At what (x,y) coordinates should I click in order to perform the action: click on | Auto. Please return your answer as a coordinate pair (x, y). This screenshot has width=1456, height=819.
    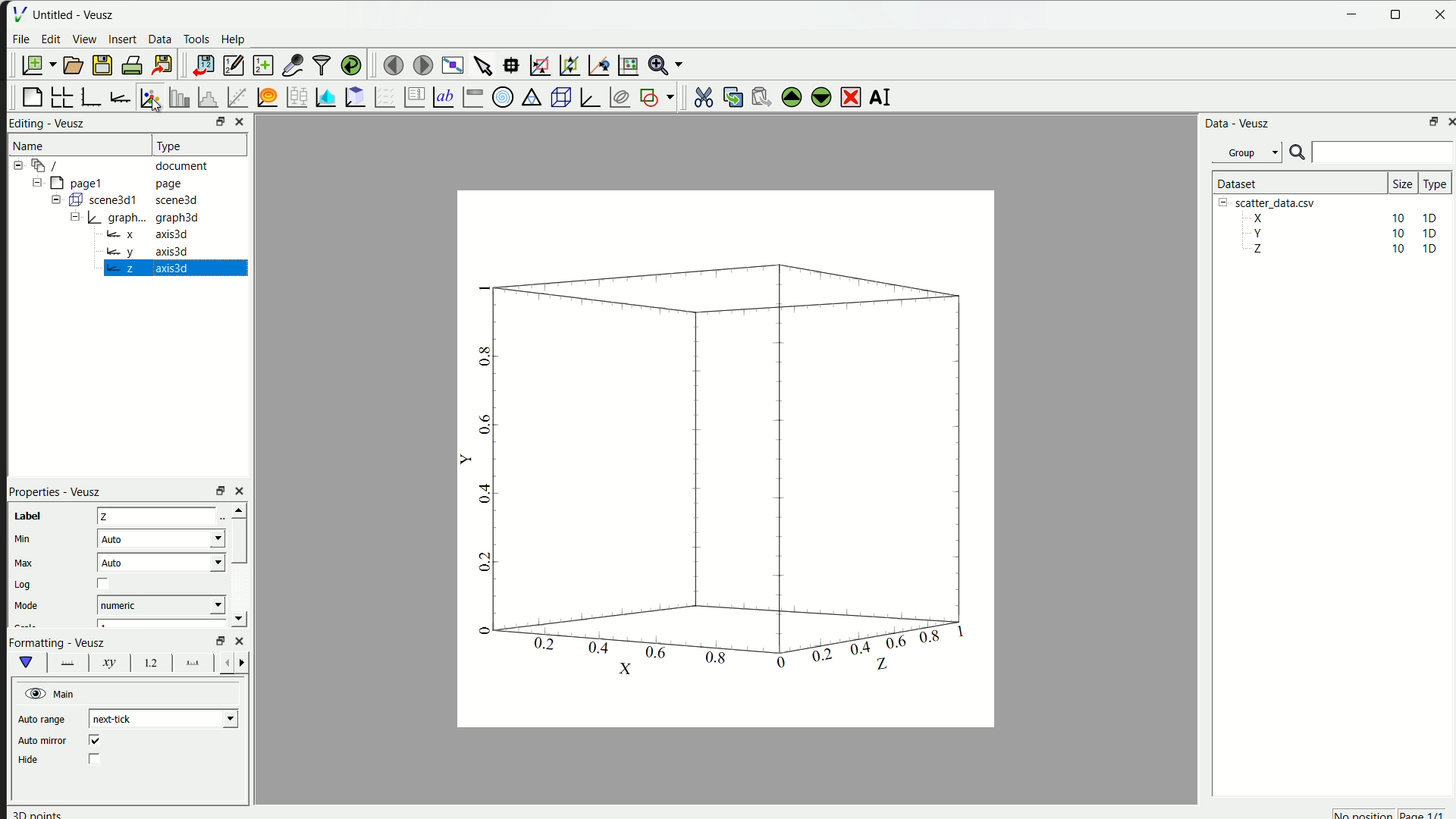
    Looking at the image, I should click on (169, 540).